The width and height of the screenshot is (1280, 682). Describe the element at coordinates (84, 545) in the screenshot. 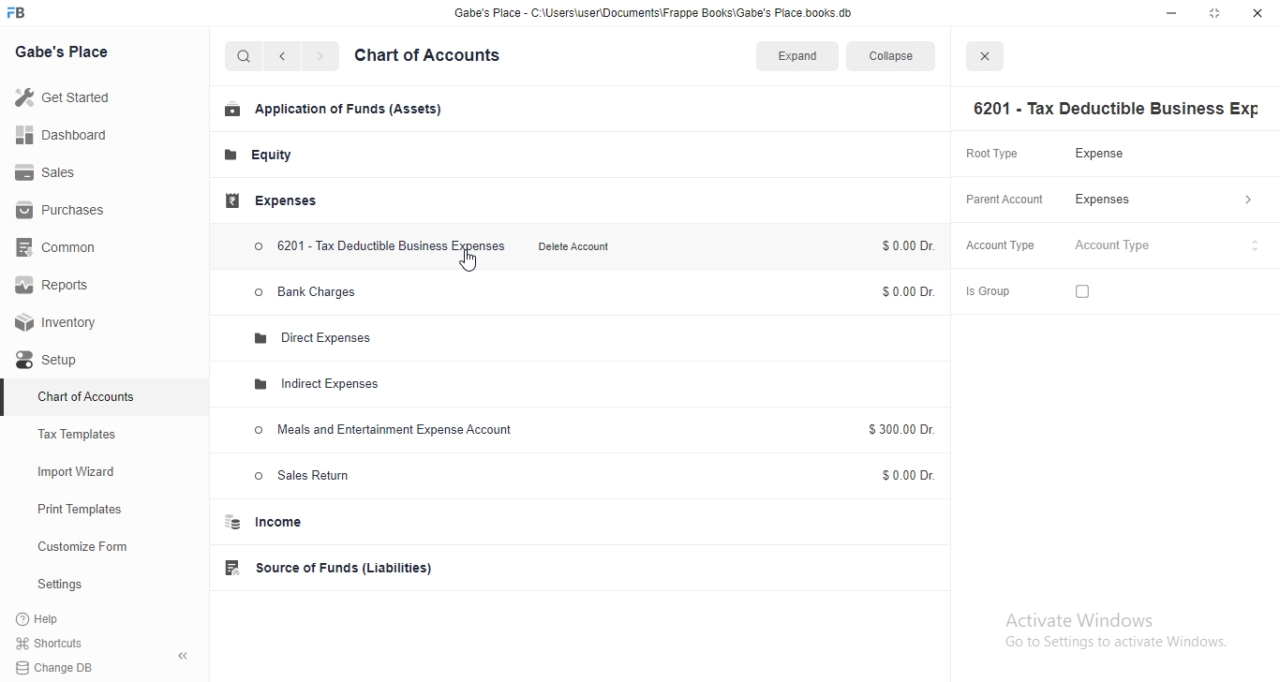

I see `Customize Form` at that location.